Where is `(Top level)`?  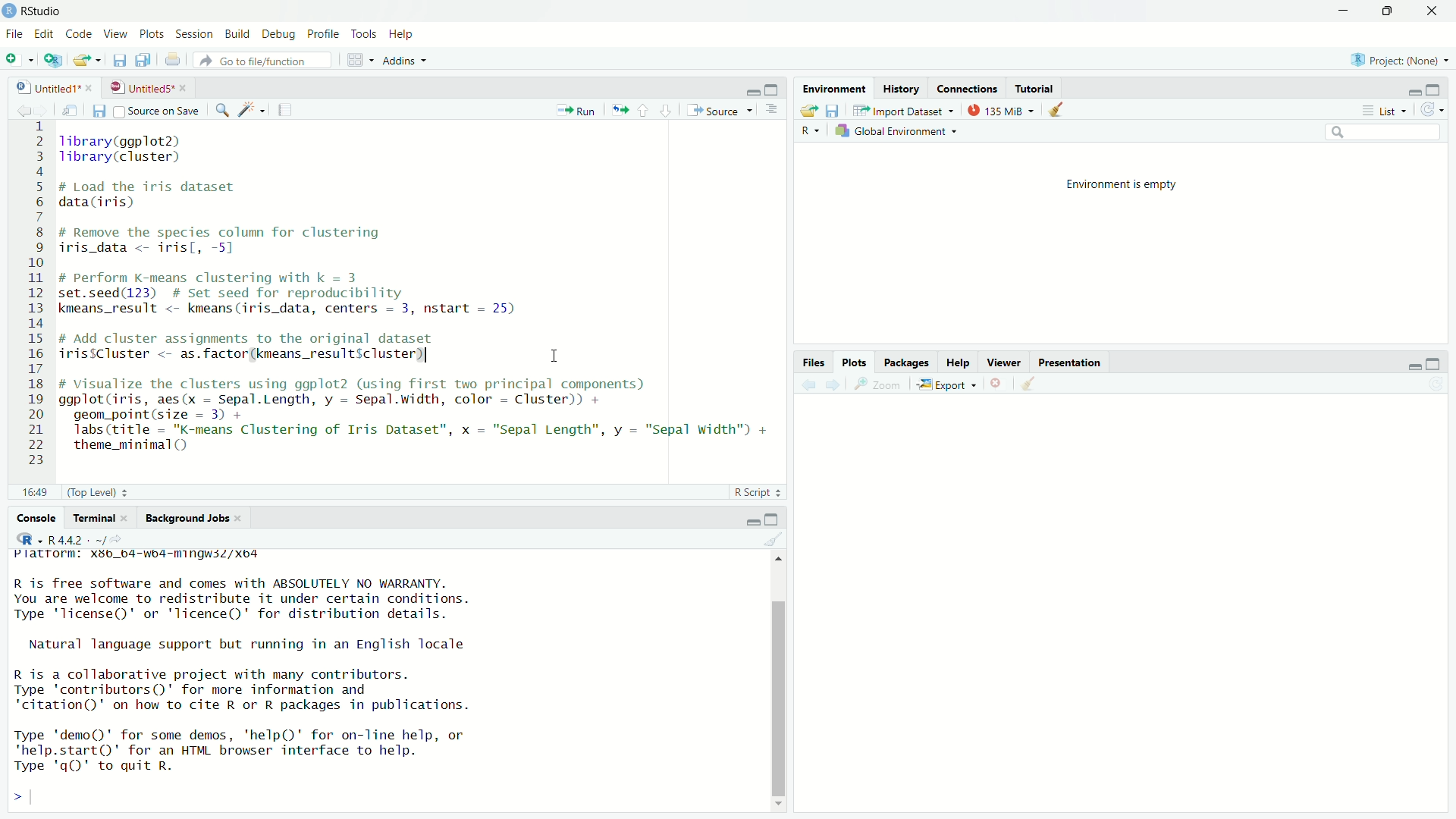 (Top level) is located at coordinates (98, 491).